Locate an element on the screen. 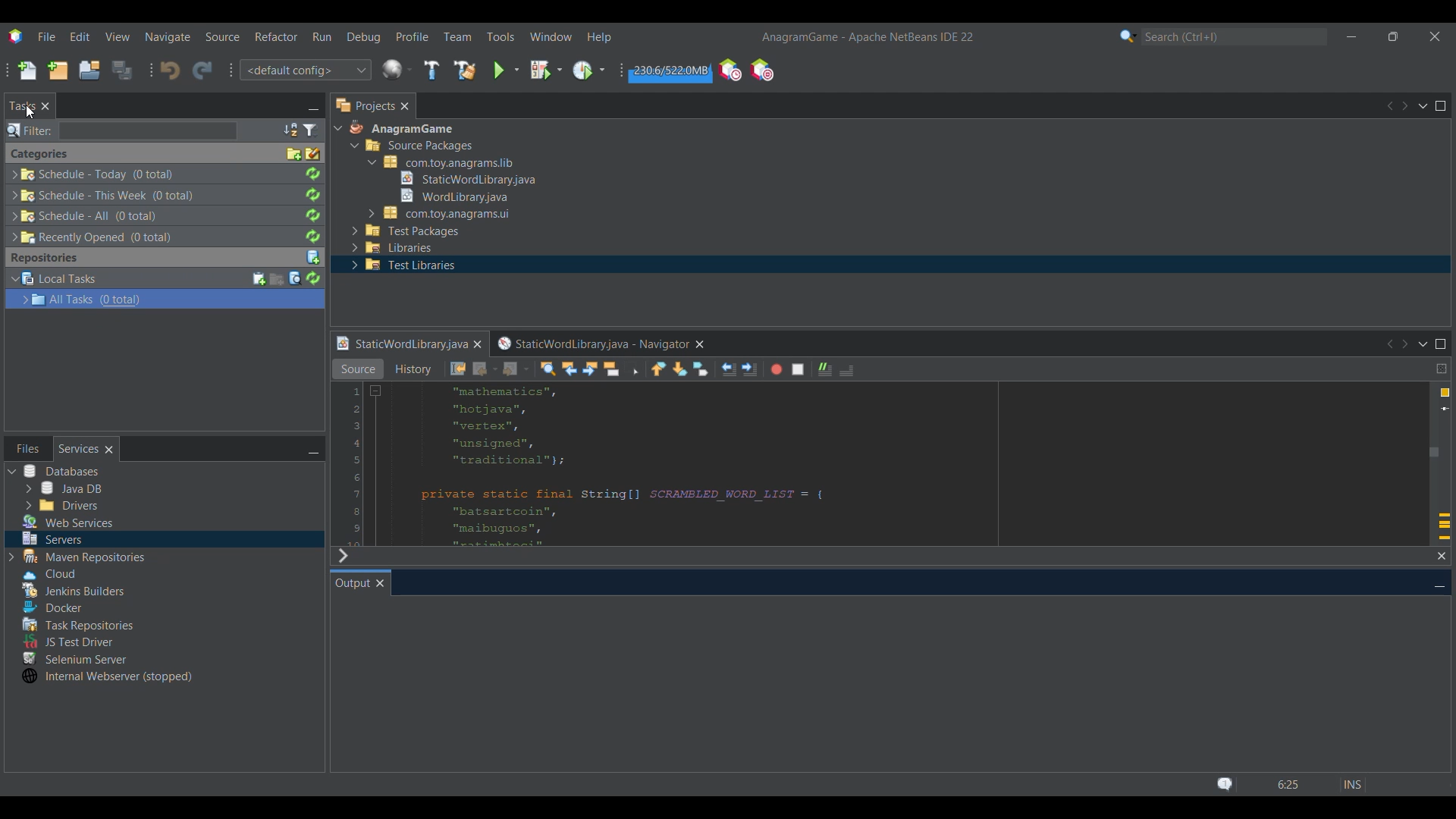 This screenshot has width=1456, height=819. Maximize window is located at coordinates (1440, 105).